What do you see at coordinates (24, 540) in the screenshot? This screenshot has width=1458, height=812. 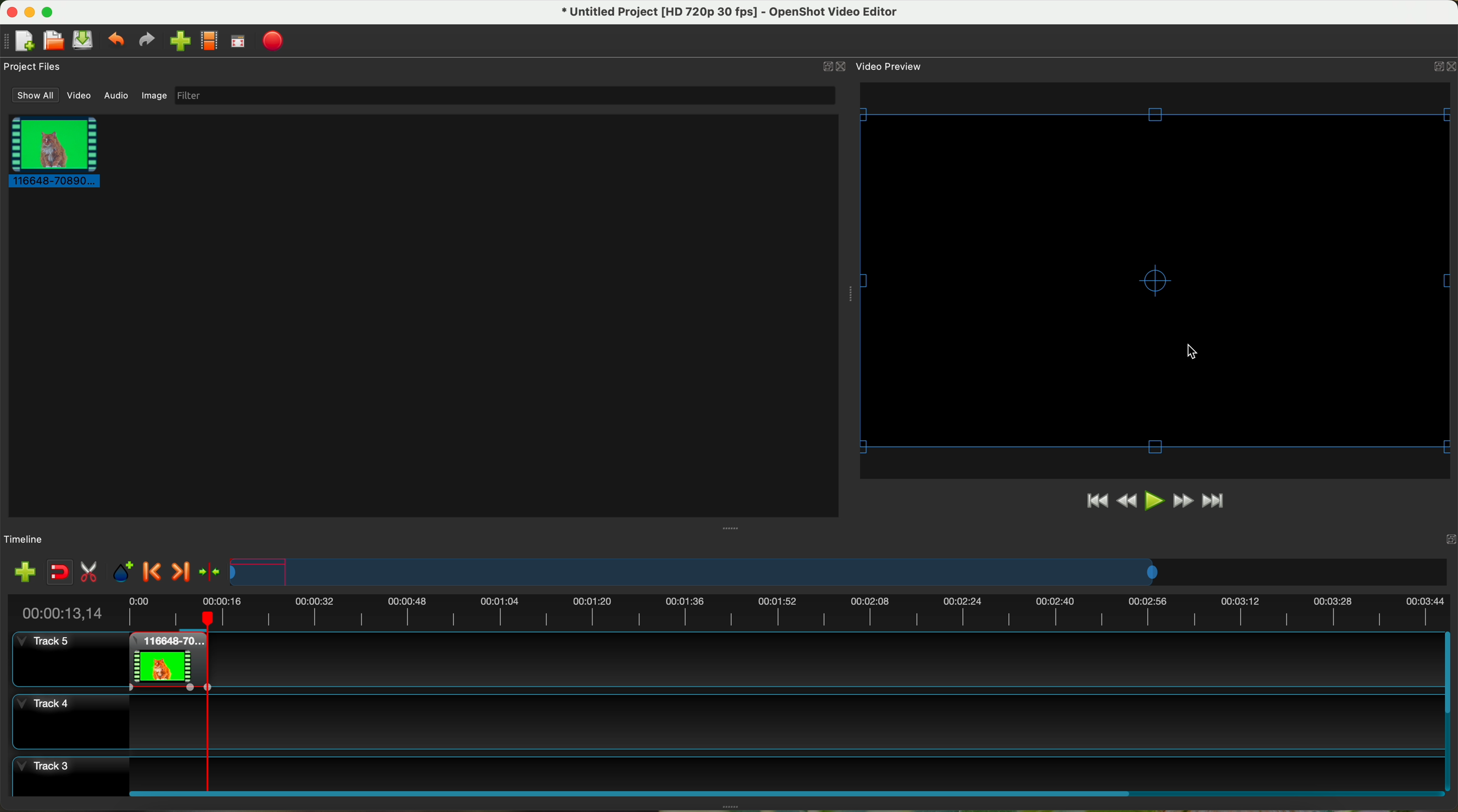 I see `timeline` at bounding box center [24, 540].